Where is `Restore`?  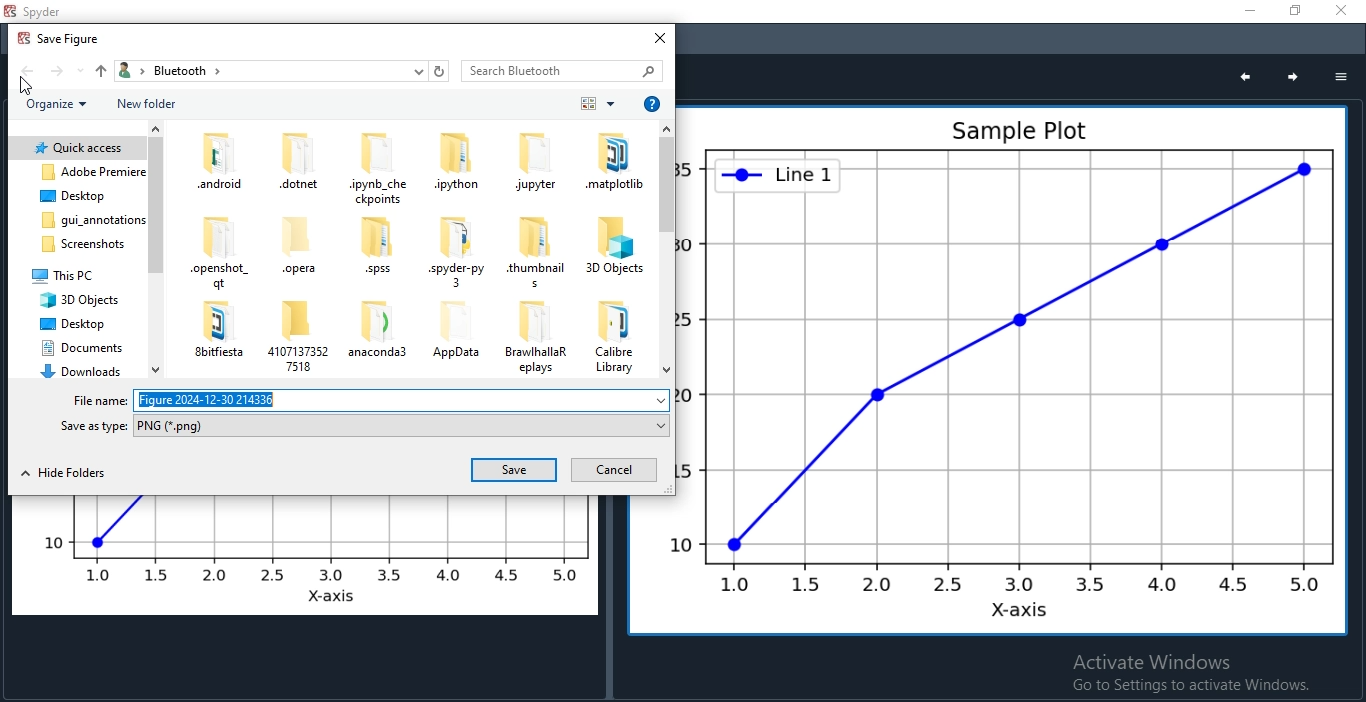
Restore is located at coordinates (1289, 10).